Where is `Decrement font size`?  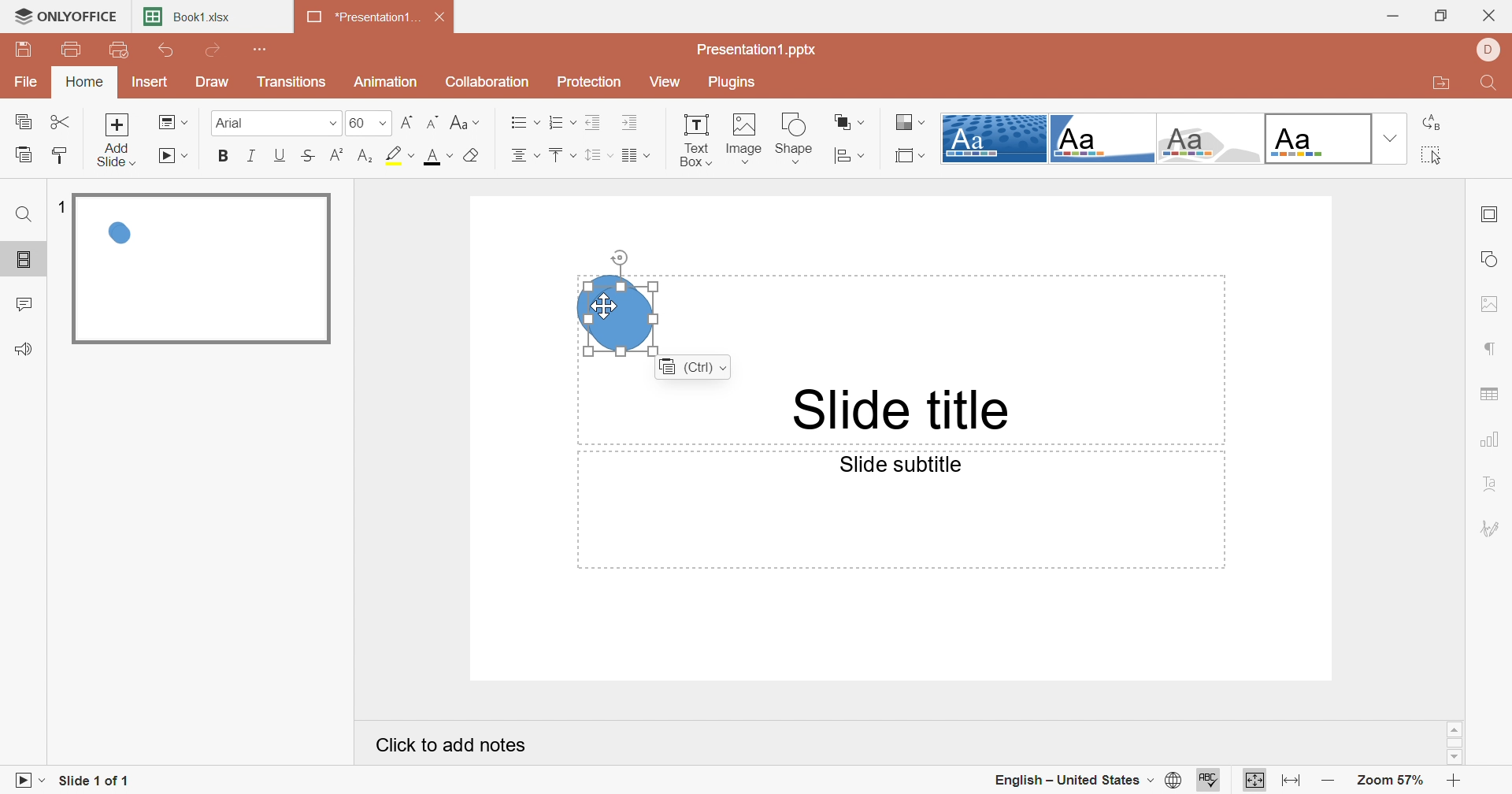
Decrement font size is located at coordinates (435, 121).